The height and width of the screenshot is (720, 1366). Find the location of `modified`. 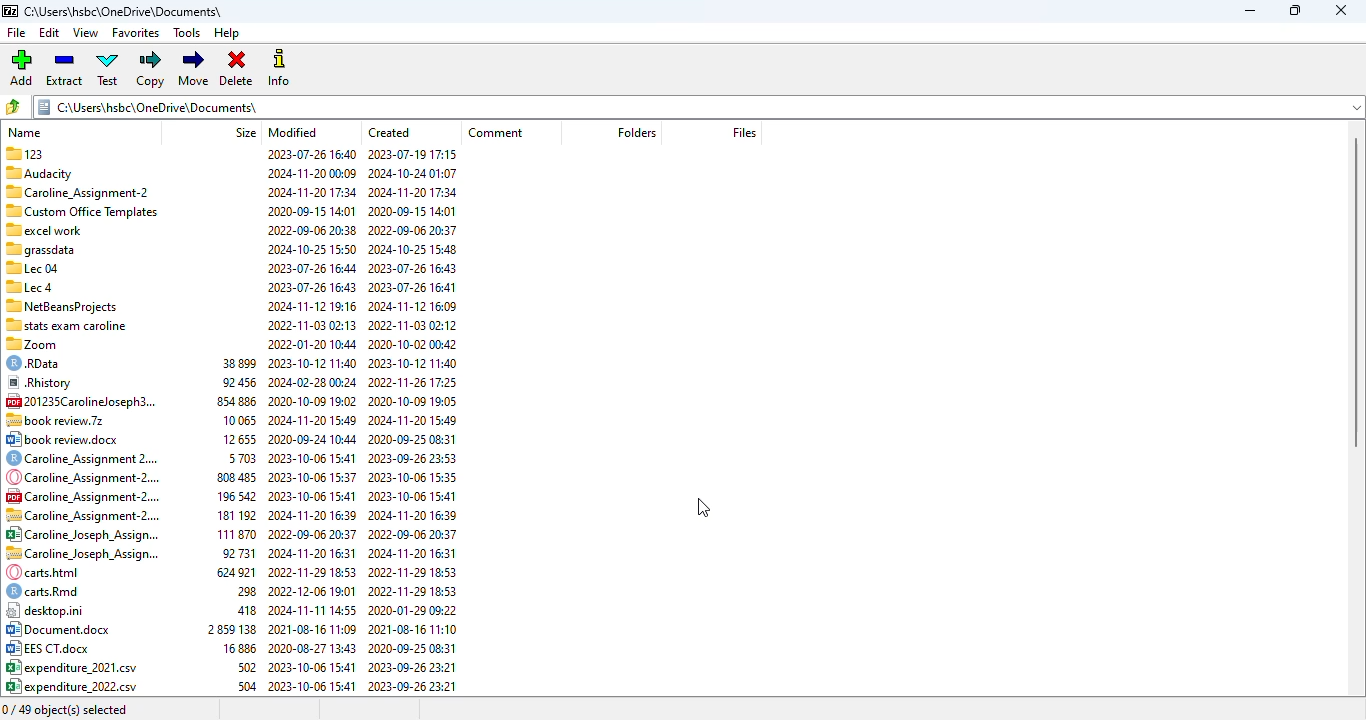

modified is located at coordinates (293, 132).